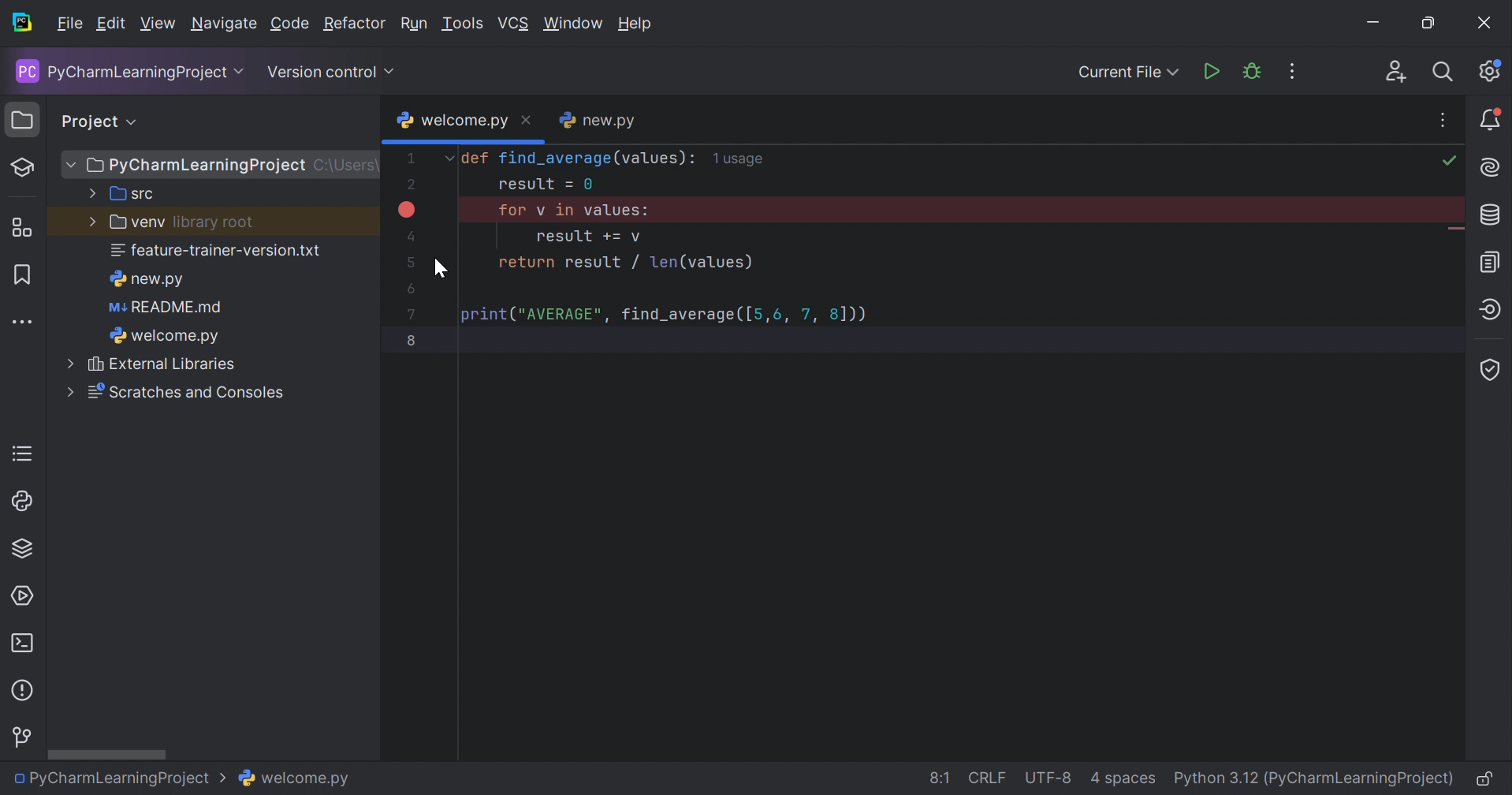 The height and width of the screenshot is (795, 1512). Describe the element at coordinates (1372, 24) in the screenshot. I see `Minimize` at that location.